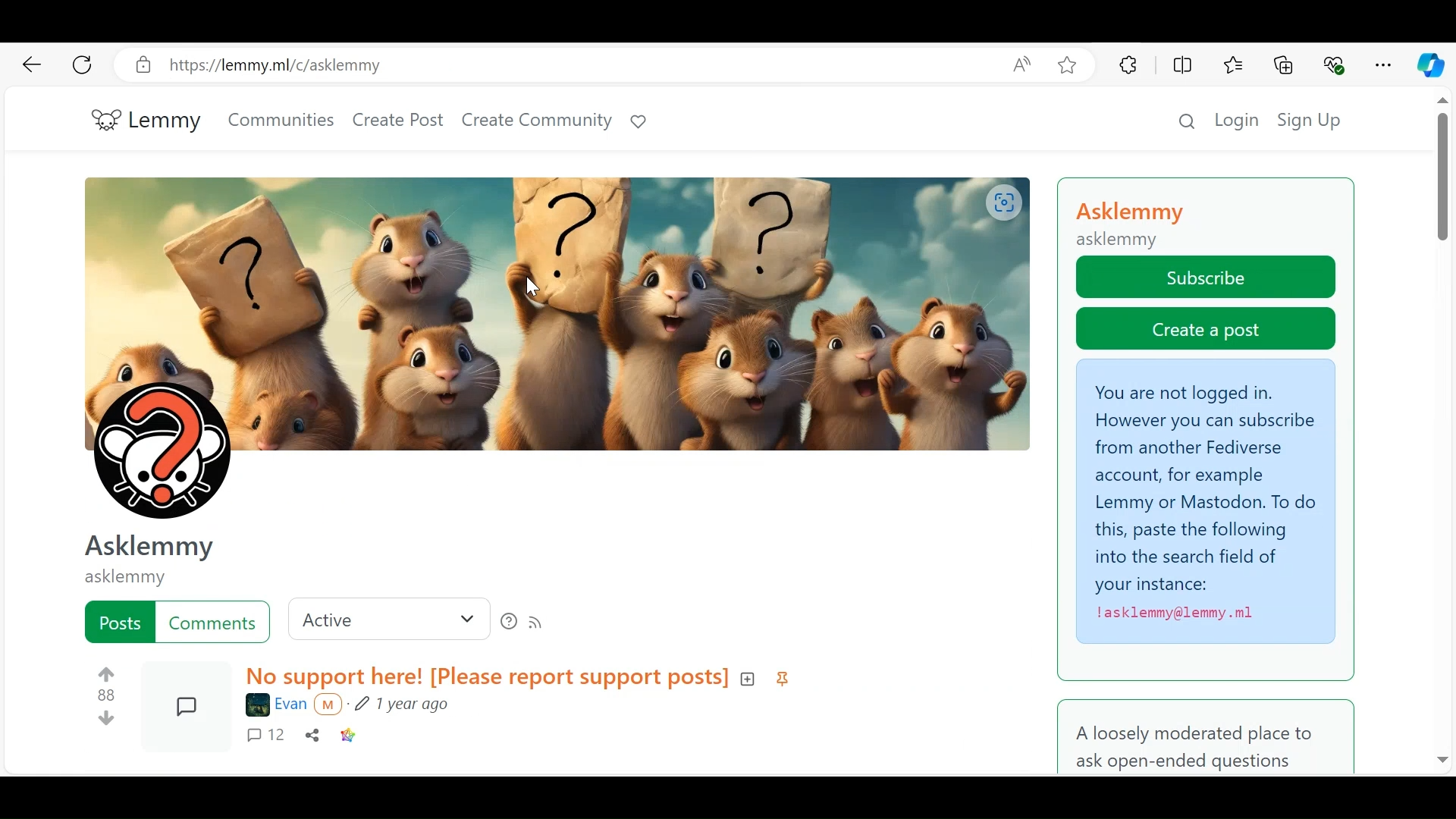 This screenshot has width=1456, height=819. Describe the element at coordinates (1284, 67) in the screenshot. I see `Collections` at that location.